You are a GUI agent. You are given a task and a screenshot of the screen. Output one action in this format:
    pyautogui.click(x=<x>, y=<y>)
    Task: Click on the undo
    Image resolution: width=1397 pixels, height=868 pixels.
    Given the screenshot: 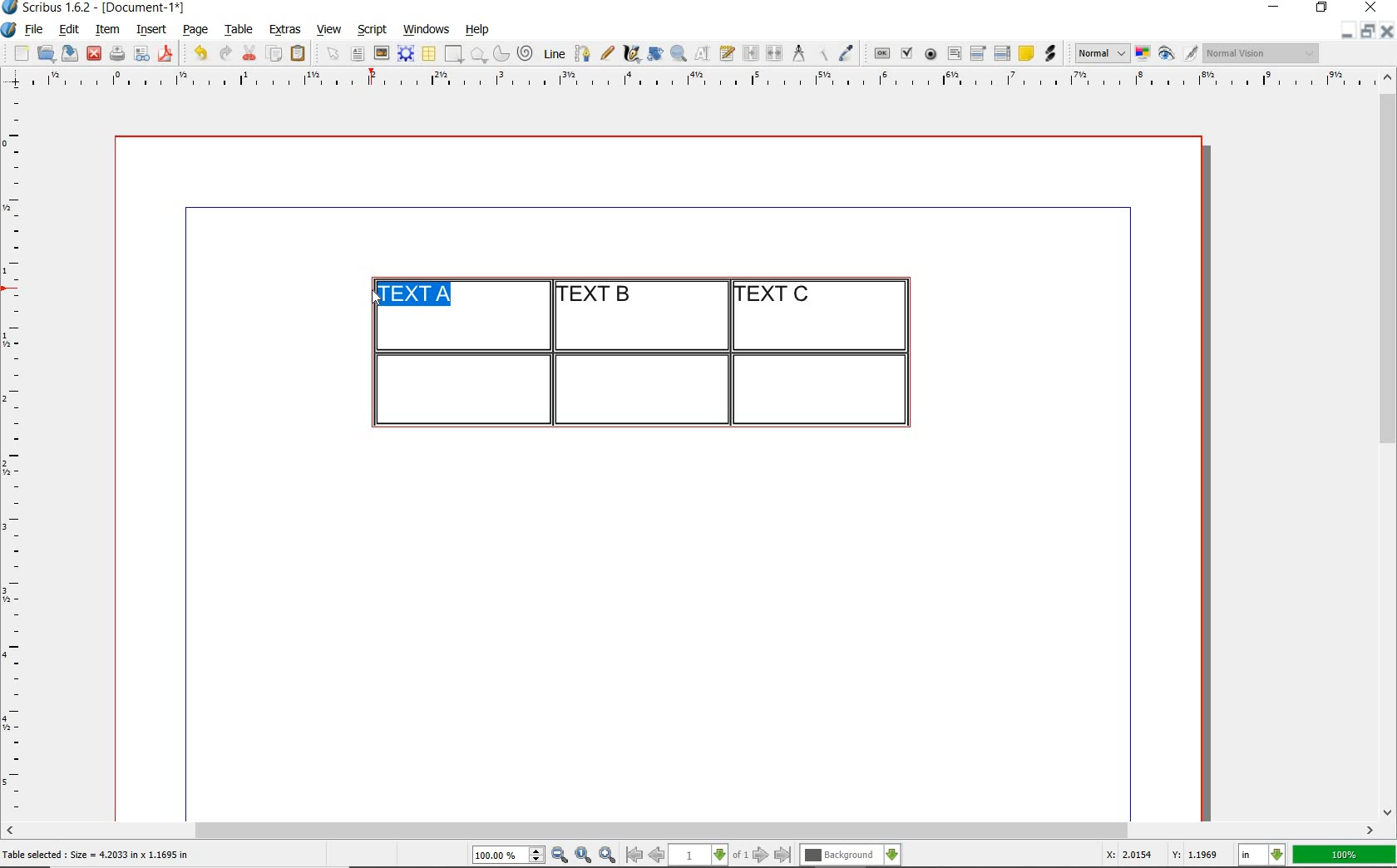 What is the action you would take?
    pyautogui.click(x=200, y=53)
    